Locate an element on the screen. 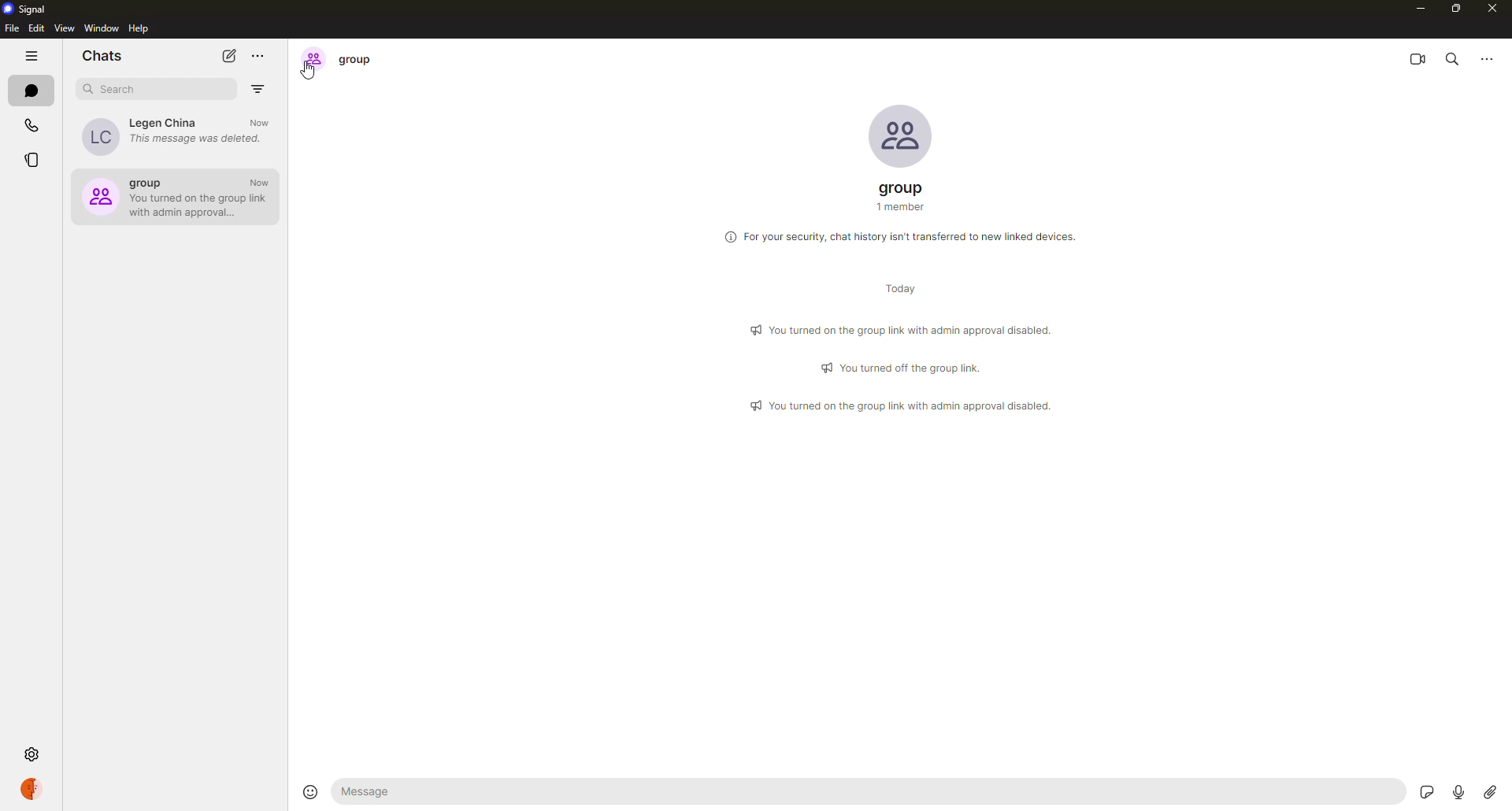  stickers is located at coordinates (1429, 794).